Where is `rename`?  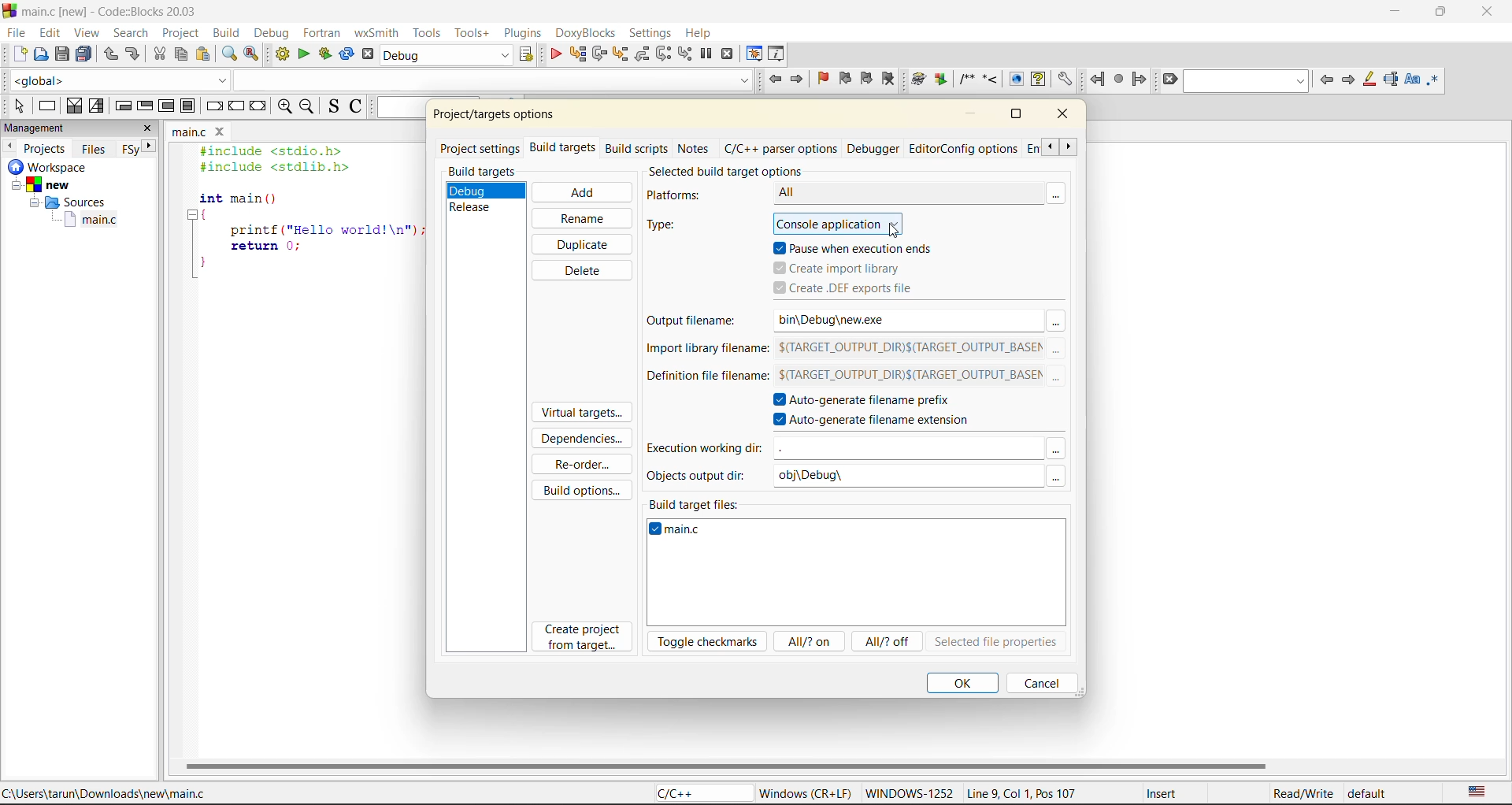 rename is located at coordinates (581, 218).